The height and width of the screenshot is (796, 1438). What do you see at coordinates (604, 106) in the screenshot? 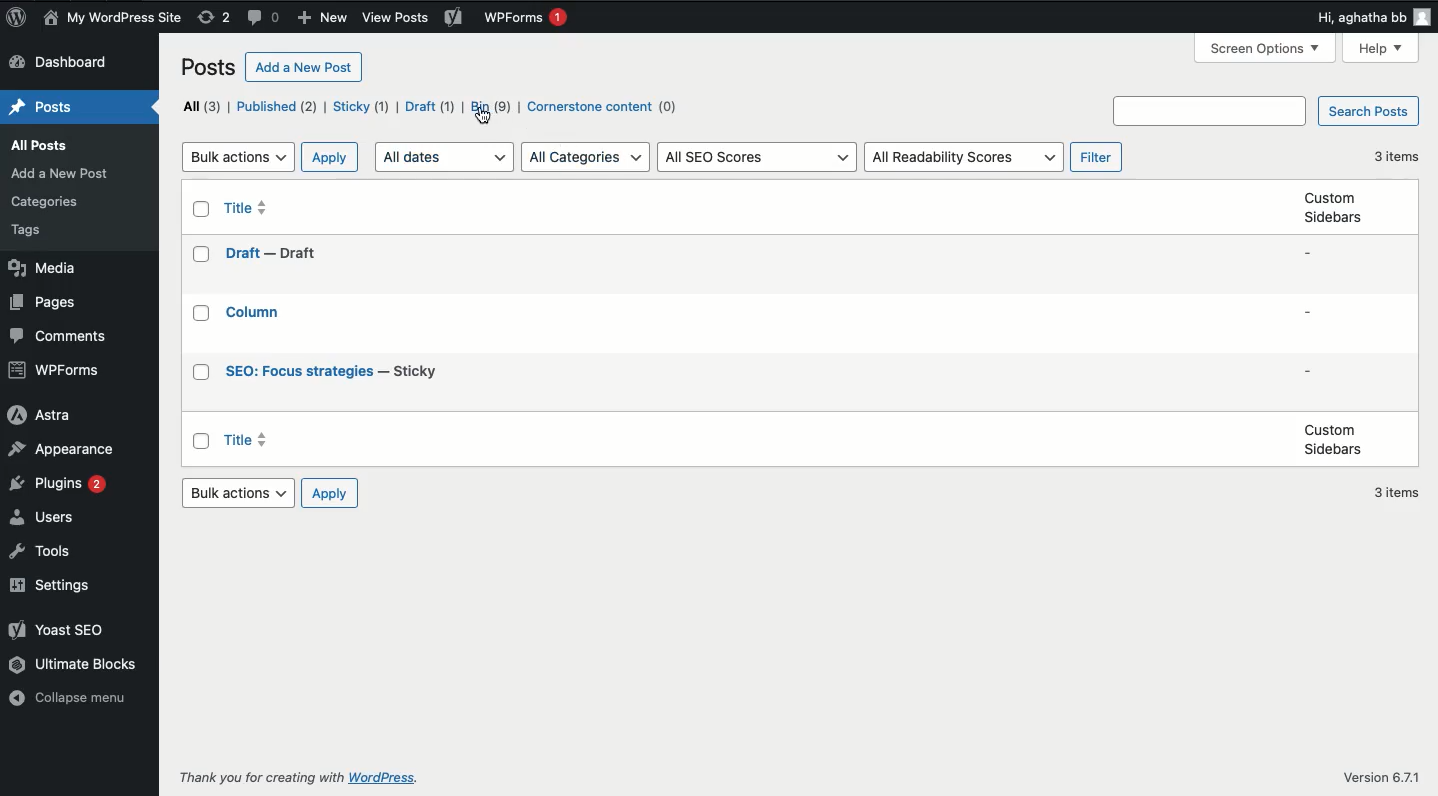
I see `Cornerstone content` at bounding box center [604, 106].